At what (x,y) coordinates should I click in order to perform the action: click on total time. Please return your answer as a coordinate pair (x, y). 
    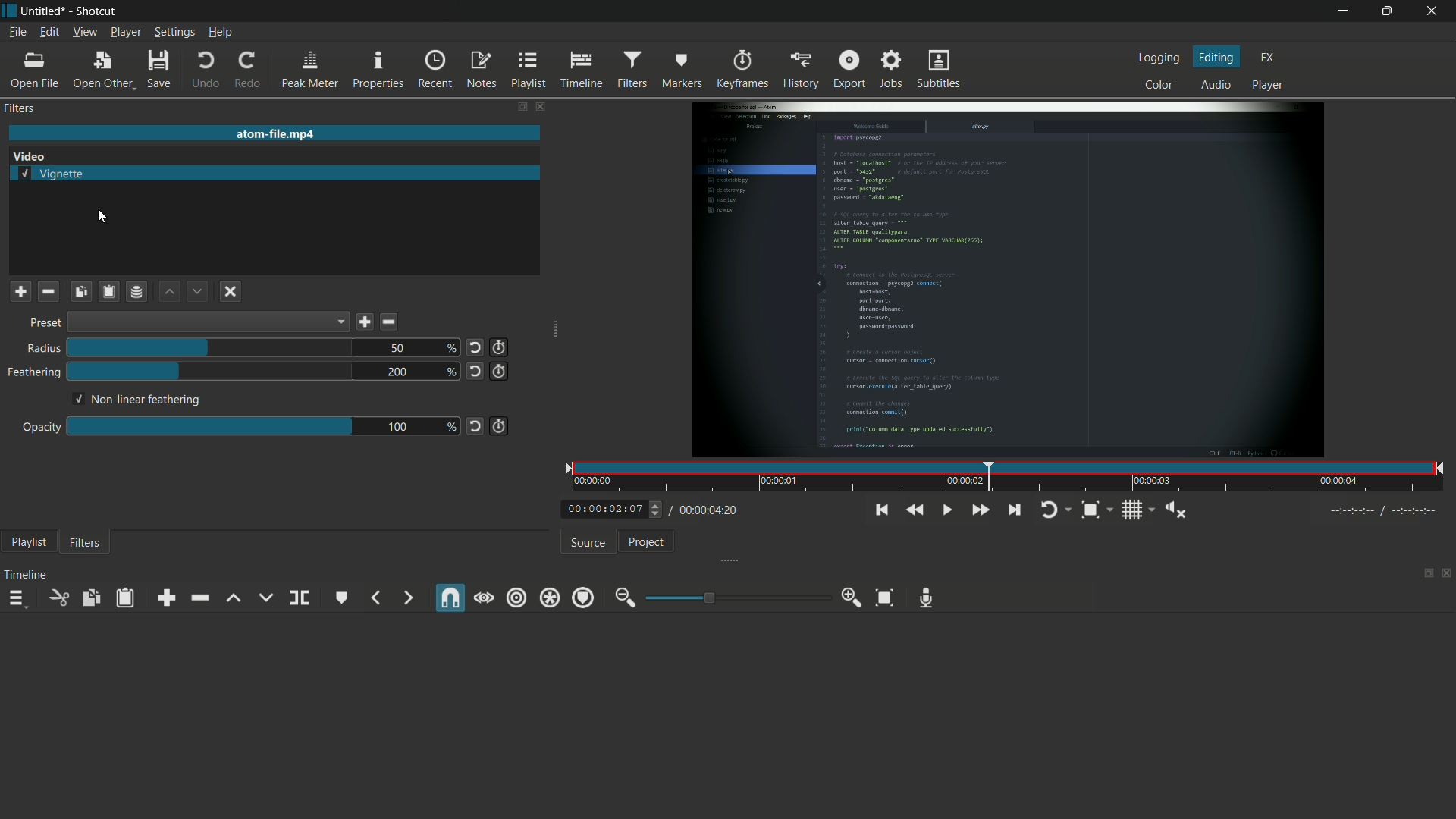
    Looking at the image, I should click on (703, 510).